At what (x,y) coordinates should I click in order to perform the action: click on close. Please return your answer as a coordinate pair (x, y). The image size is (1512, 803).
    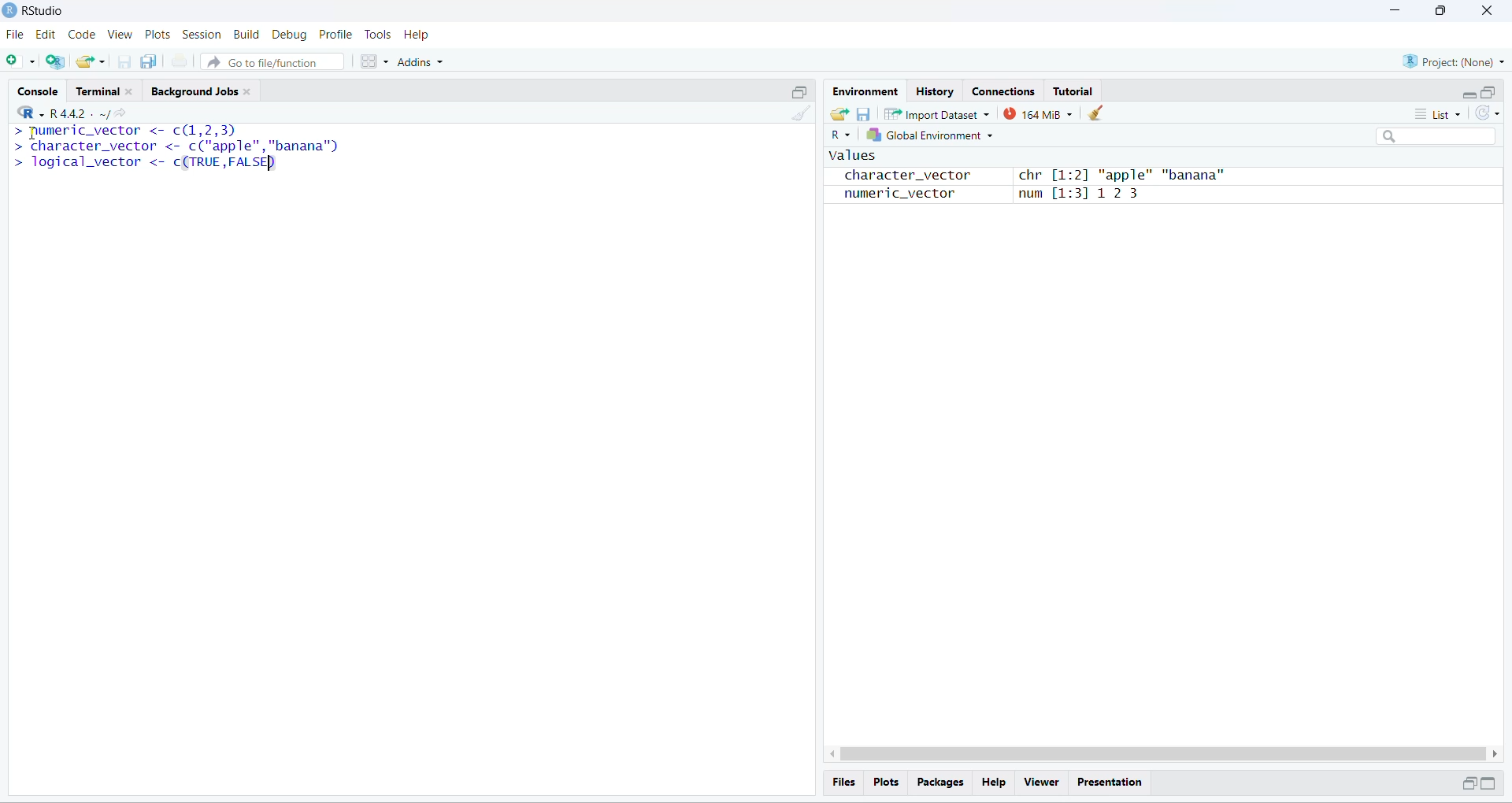
    Looking at the image, I should click on (1485, 10).